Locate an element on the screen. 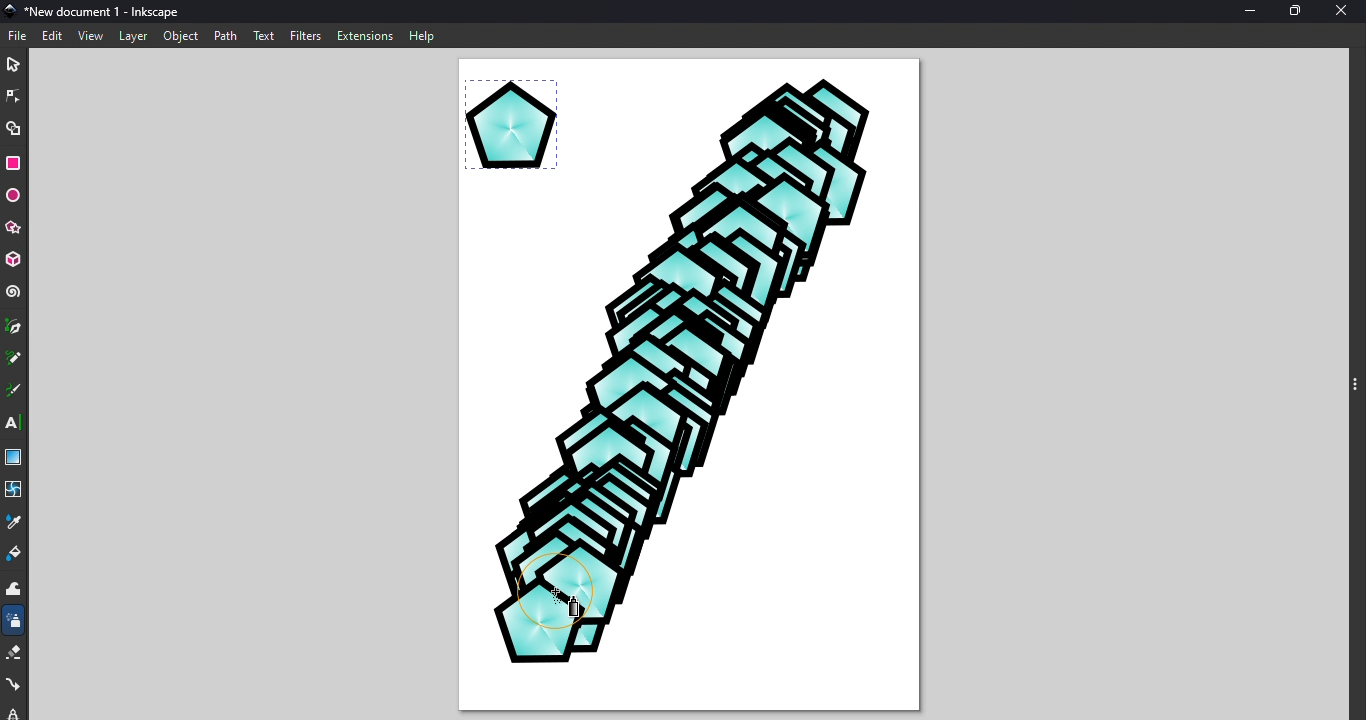 Image resolution: width=1366 pixels, height=720 pixels. Mesh tool is located at coordinates (15, 488).